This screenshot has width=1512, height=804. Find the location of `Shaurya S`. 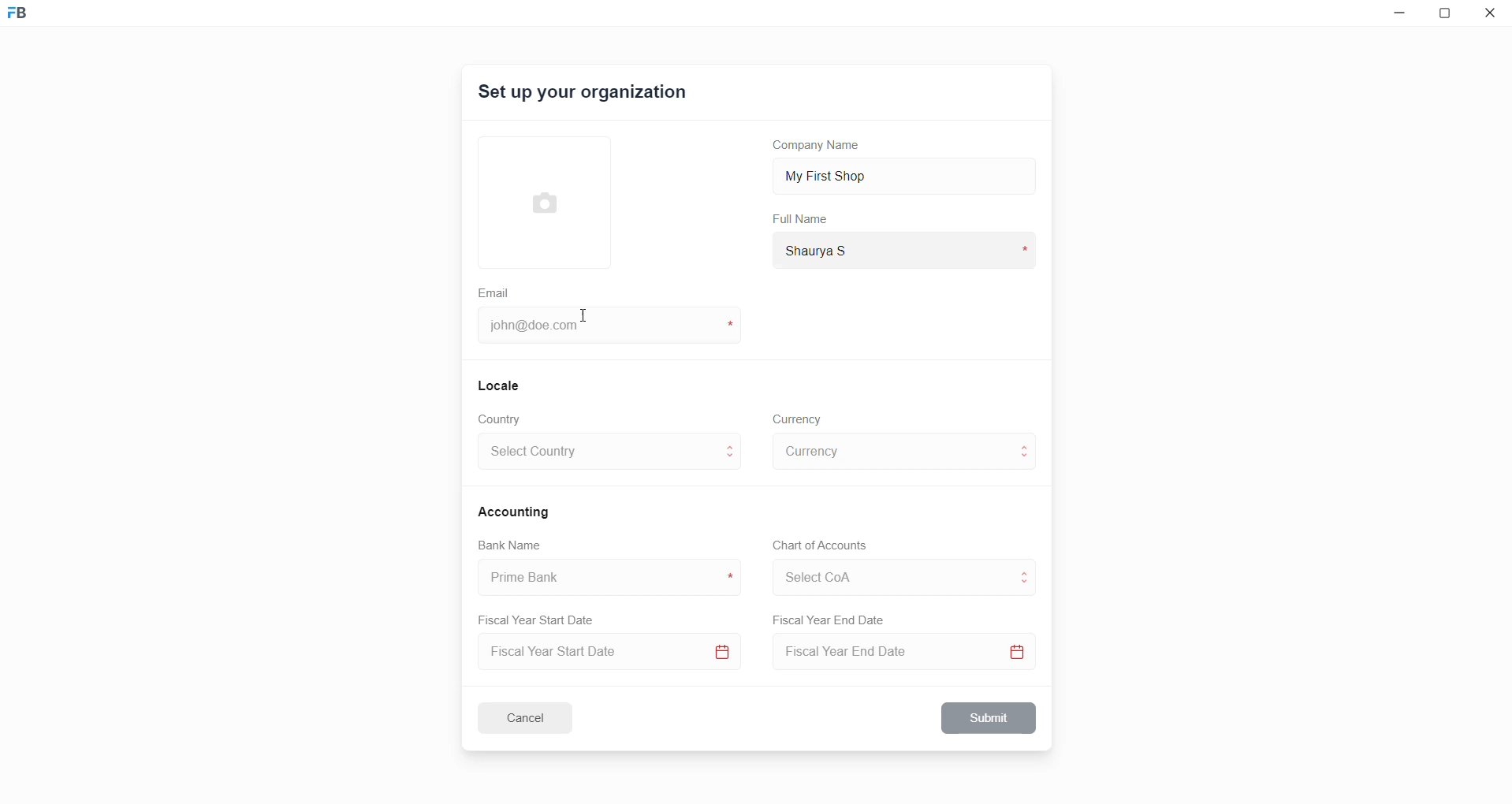

Shaurya S is located at coordinates (840, 249).